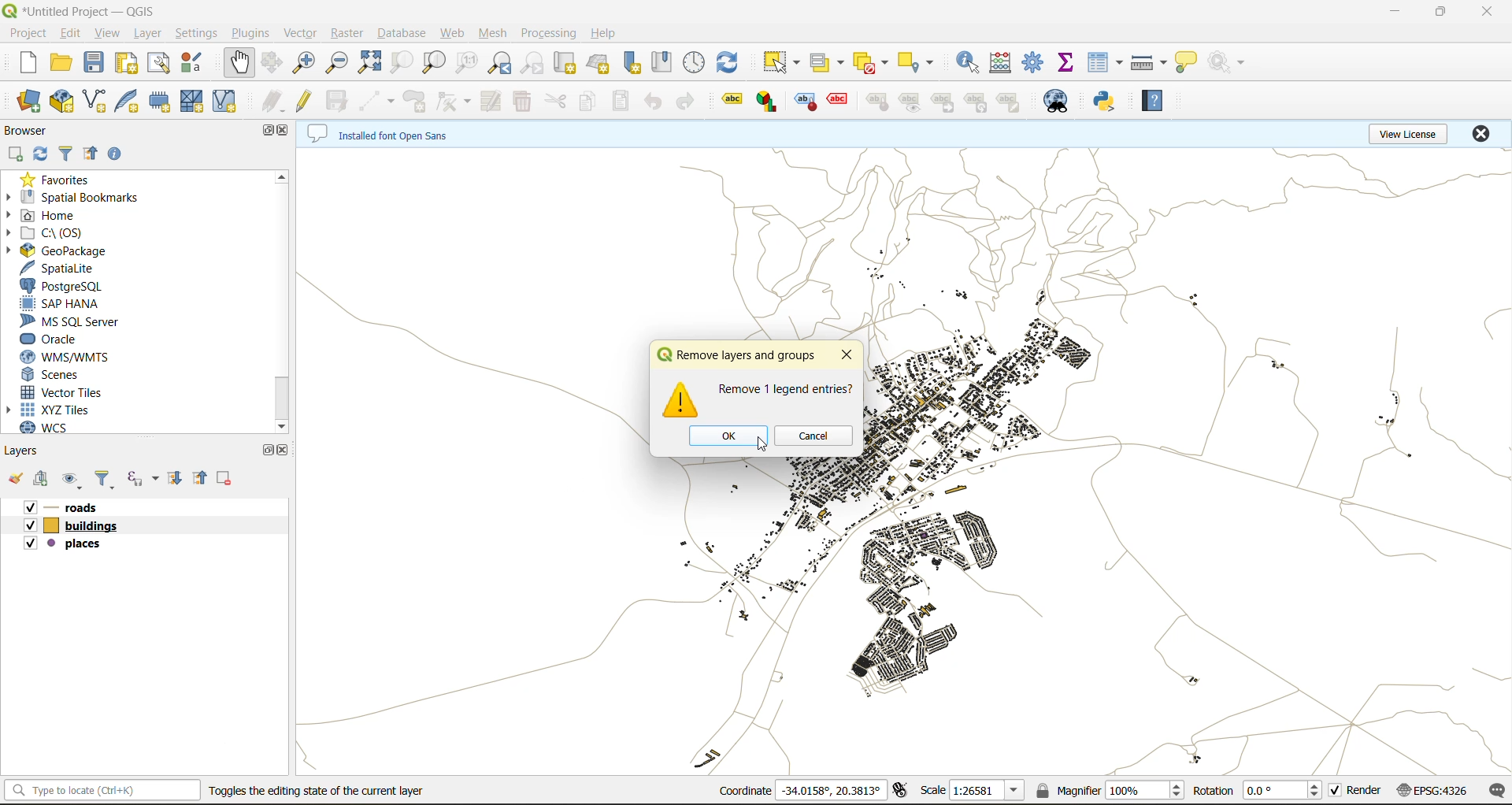  Describe the element at coordinates (907, 790) in the screenshot. I see `toggle extents` at that location.